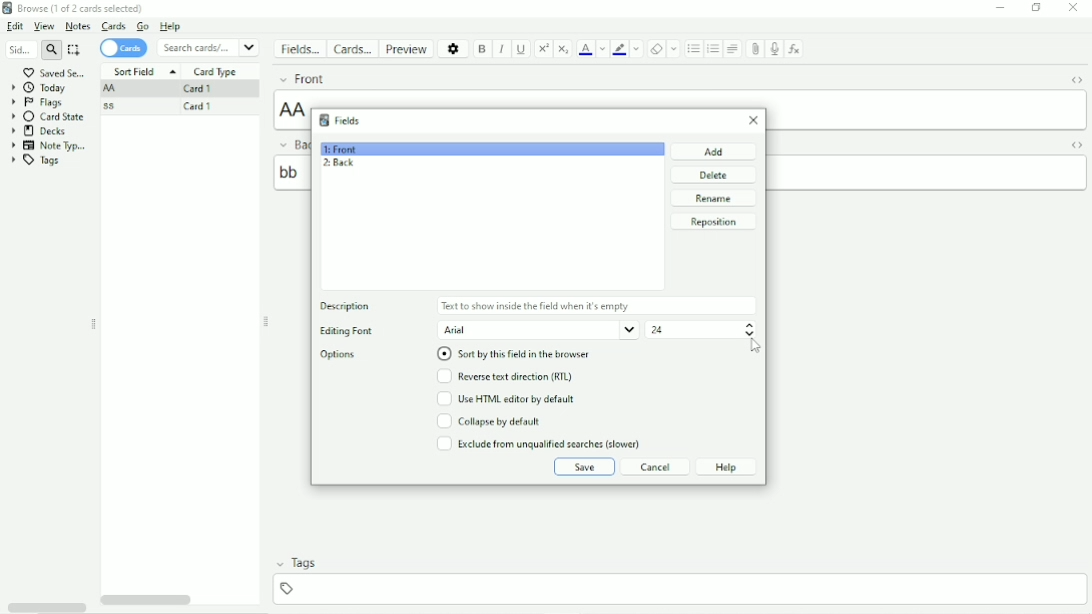  What do you see at coordinates (756, 347) in the screenshot?
I see `Cursor` at bounding box center [756, 347].